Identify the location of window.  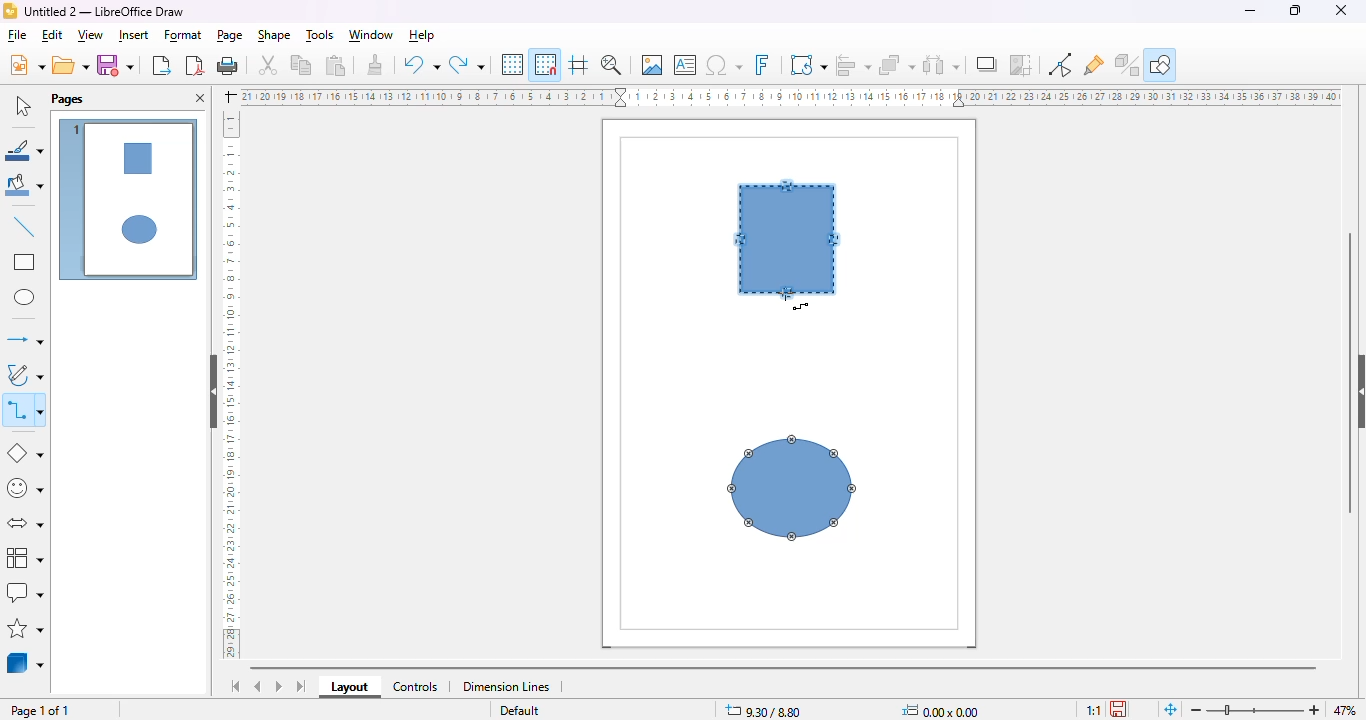
(371, 35).